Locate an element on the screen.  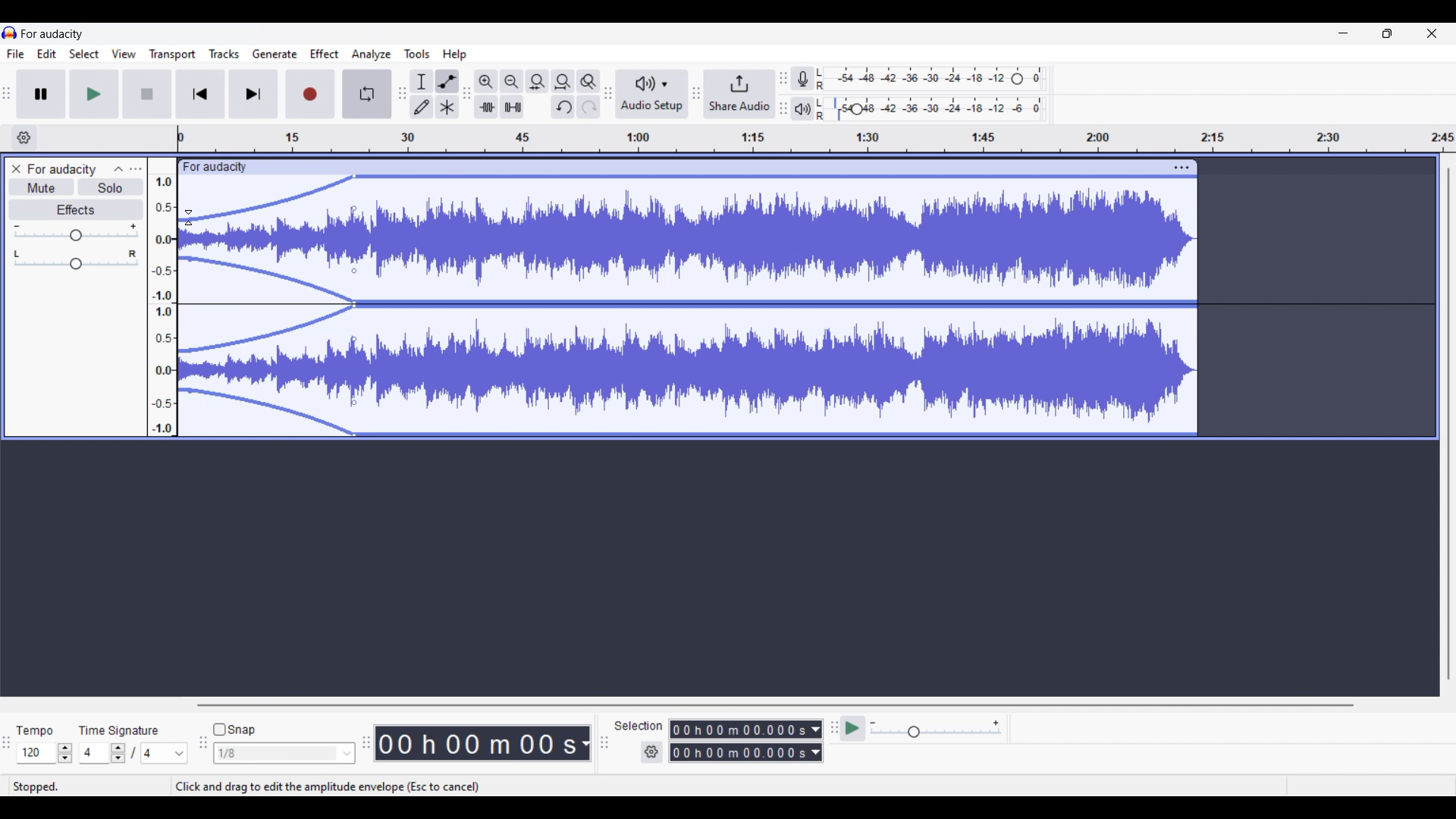
Record/Record new track is located at coordinates (311, 94).